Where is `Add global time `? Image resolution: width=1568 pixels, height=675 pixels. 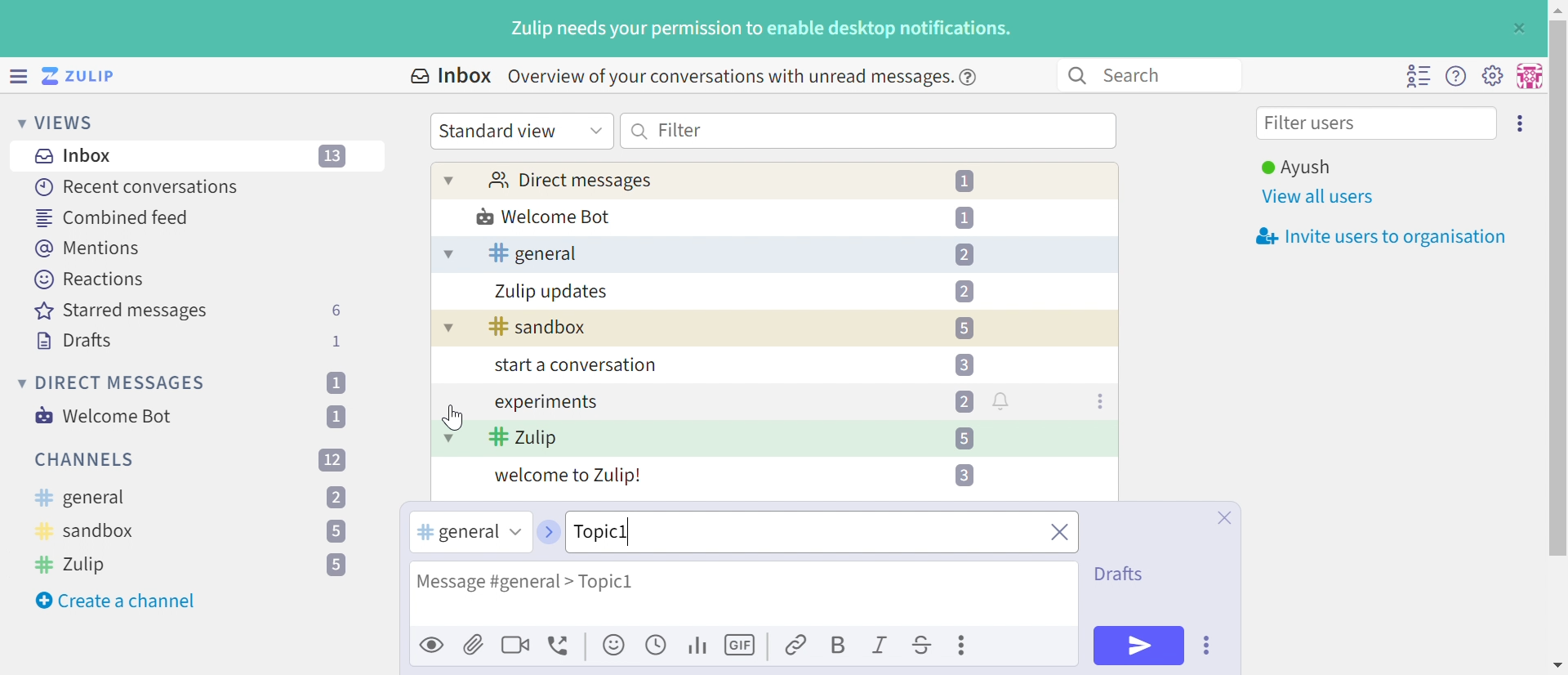
Add global time  is located at coordinates (659, 644).